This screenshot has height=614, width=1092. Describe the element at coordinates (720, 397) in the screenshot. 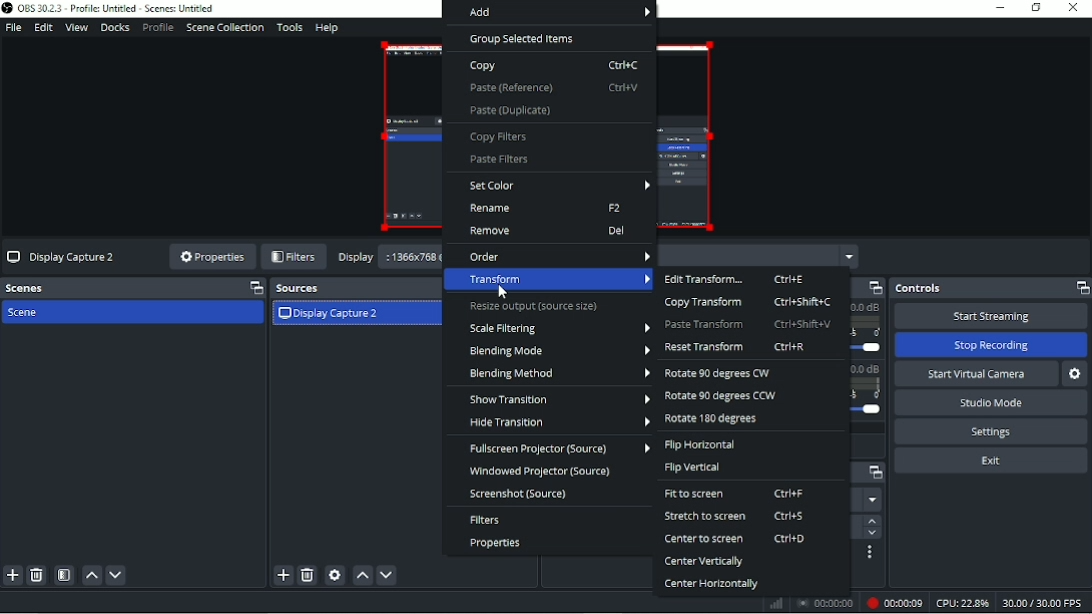

I see `Rotate 90 degress CCW` at that location.